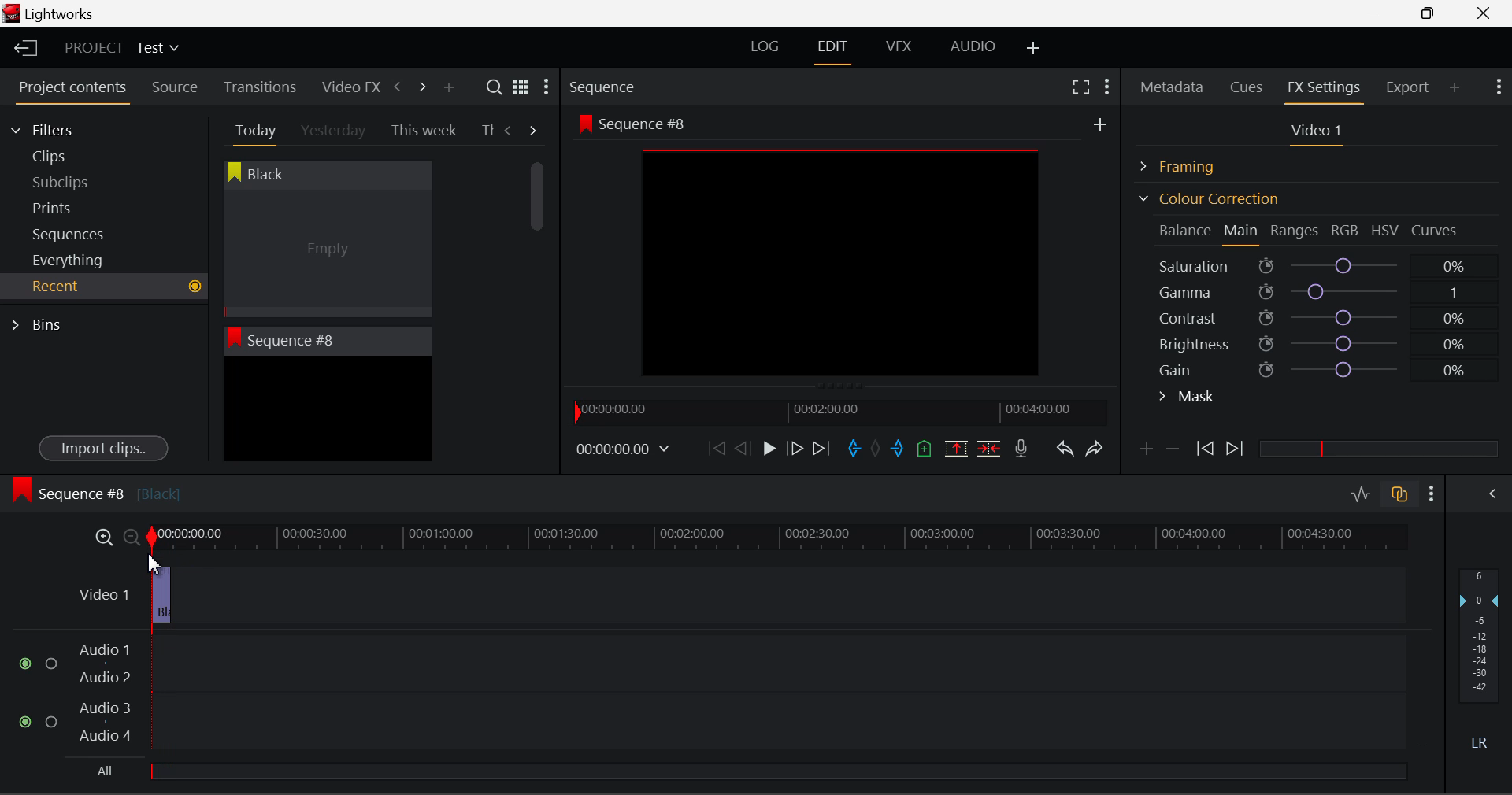 The height and width of the screenshot is (795, 1512). What do you see at coordinates (877, 450) in the screenshot?
I see `Remove All Marks` at bounding box center [877, 450].